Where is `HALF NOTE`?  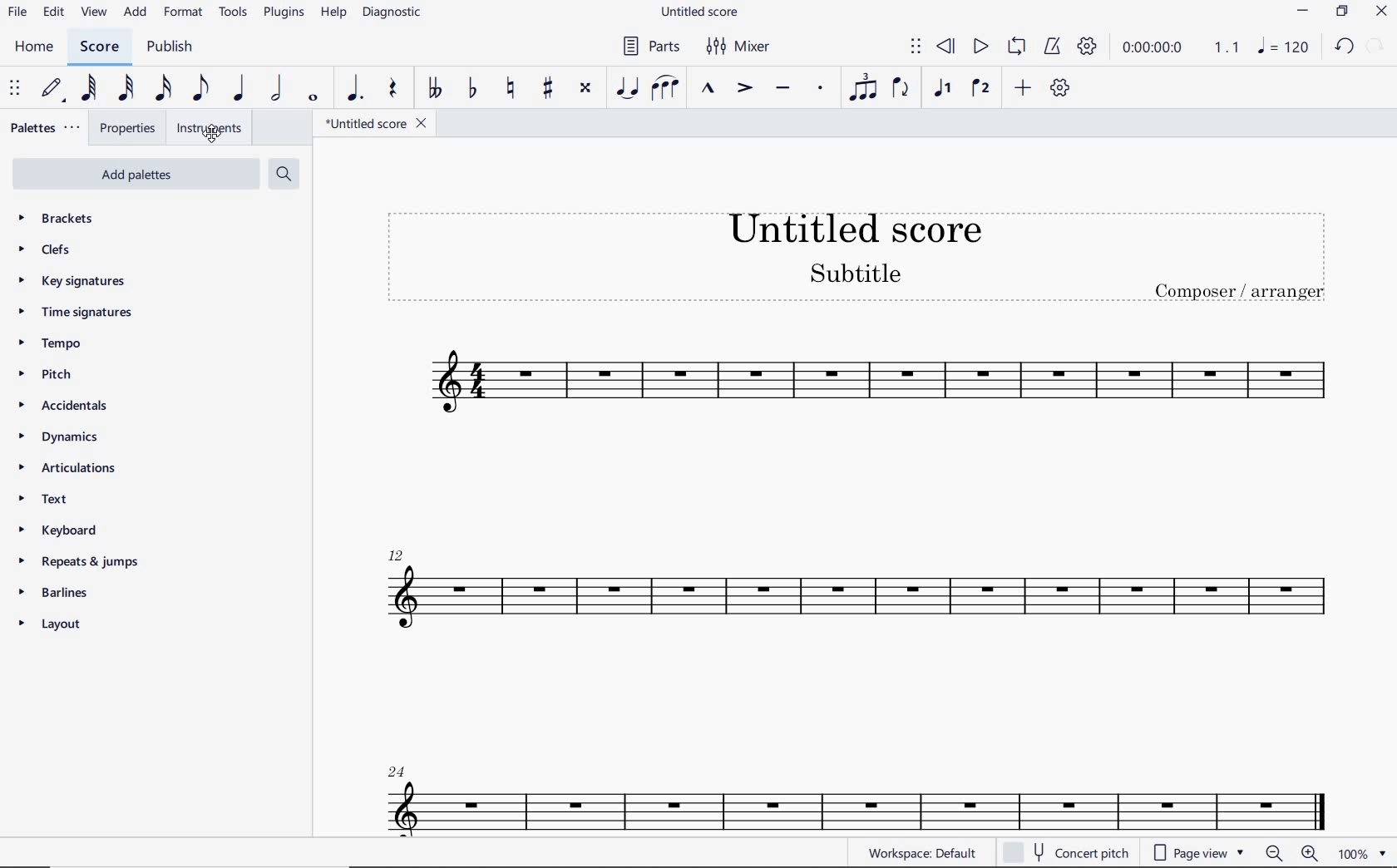 HALF NOTE is located at coordinates (278, 90).